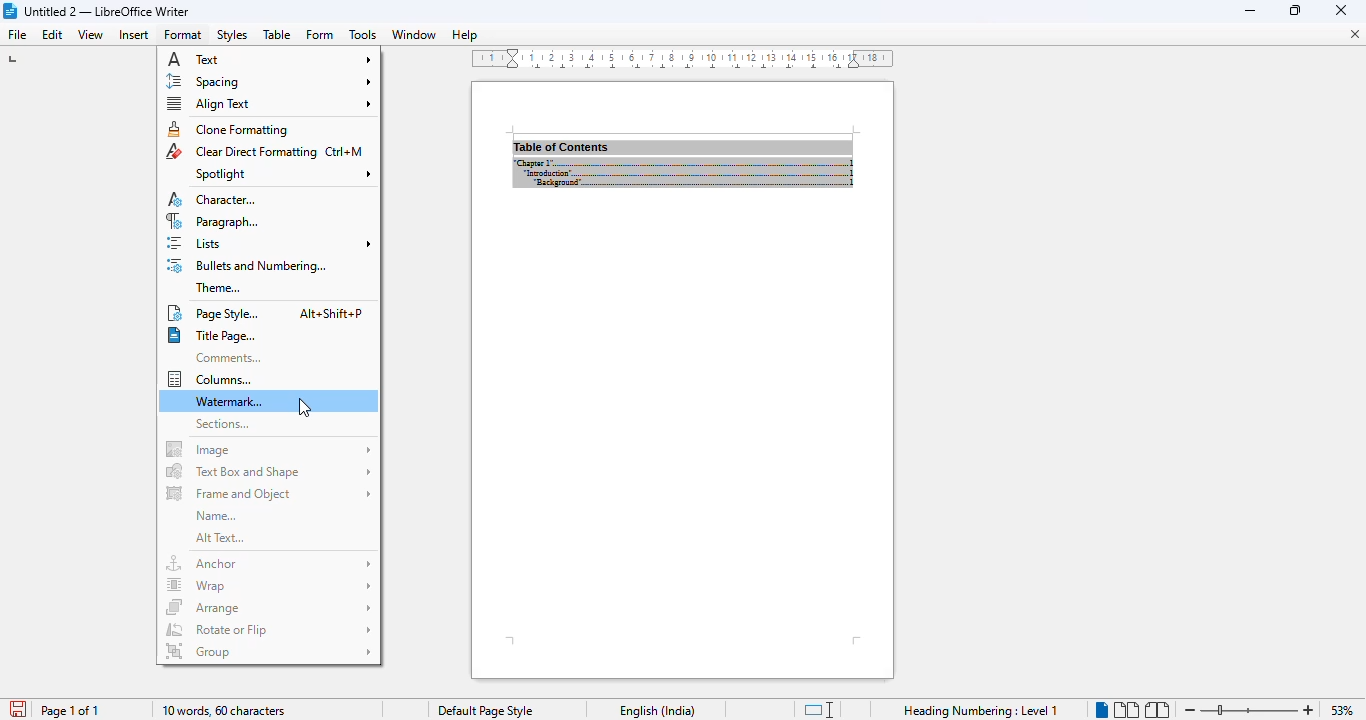 The height and width of the screenshot is (720, 1366). What do you see at coordinates (1101, 710) in the screenshot?
I see `single-page view` at bounding box center [1101, 710].